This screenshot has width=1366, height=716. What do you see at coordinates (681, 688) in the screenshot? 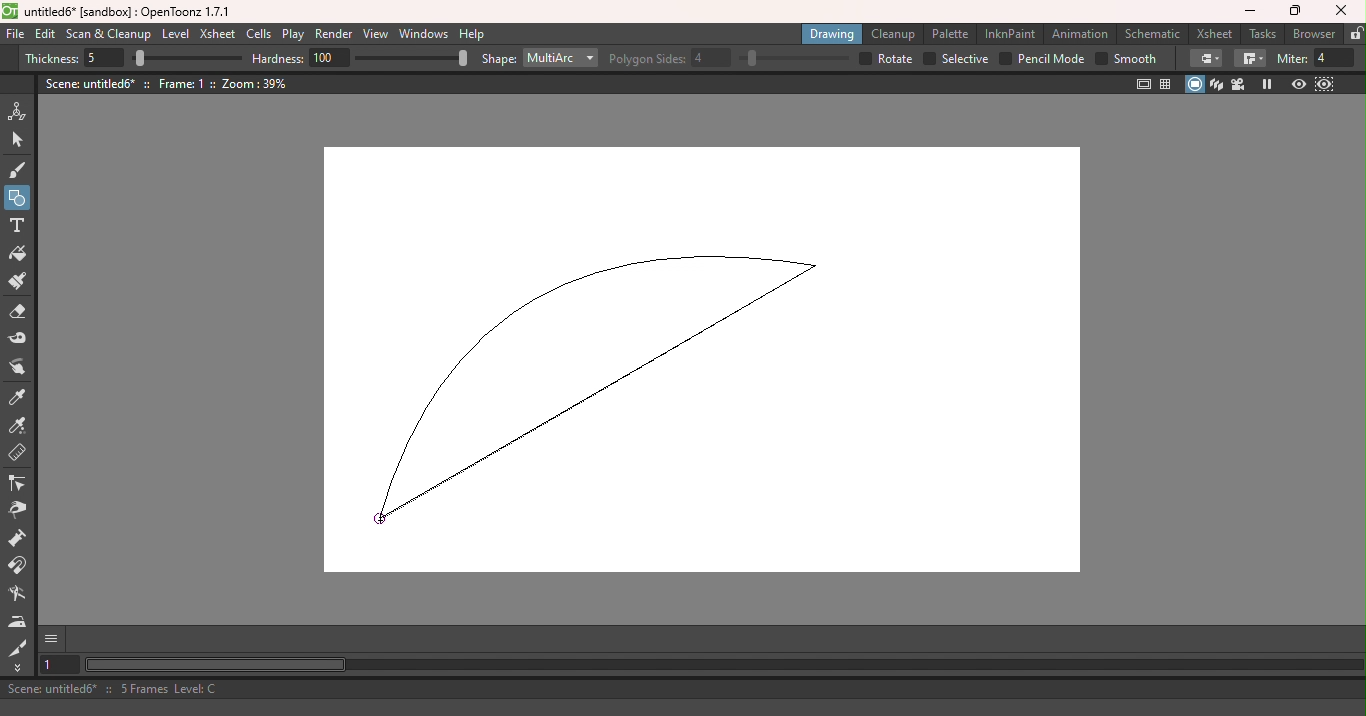
I see `Scene: untitled6* :: 5 Frames Level: C` at bounding box center [681, 688].